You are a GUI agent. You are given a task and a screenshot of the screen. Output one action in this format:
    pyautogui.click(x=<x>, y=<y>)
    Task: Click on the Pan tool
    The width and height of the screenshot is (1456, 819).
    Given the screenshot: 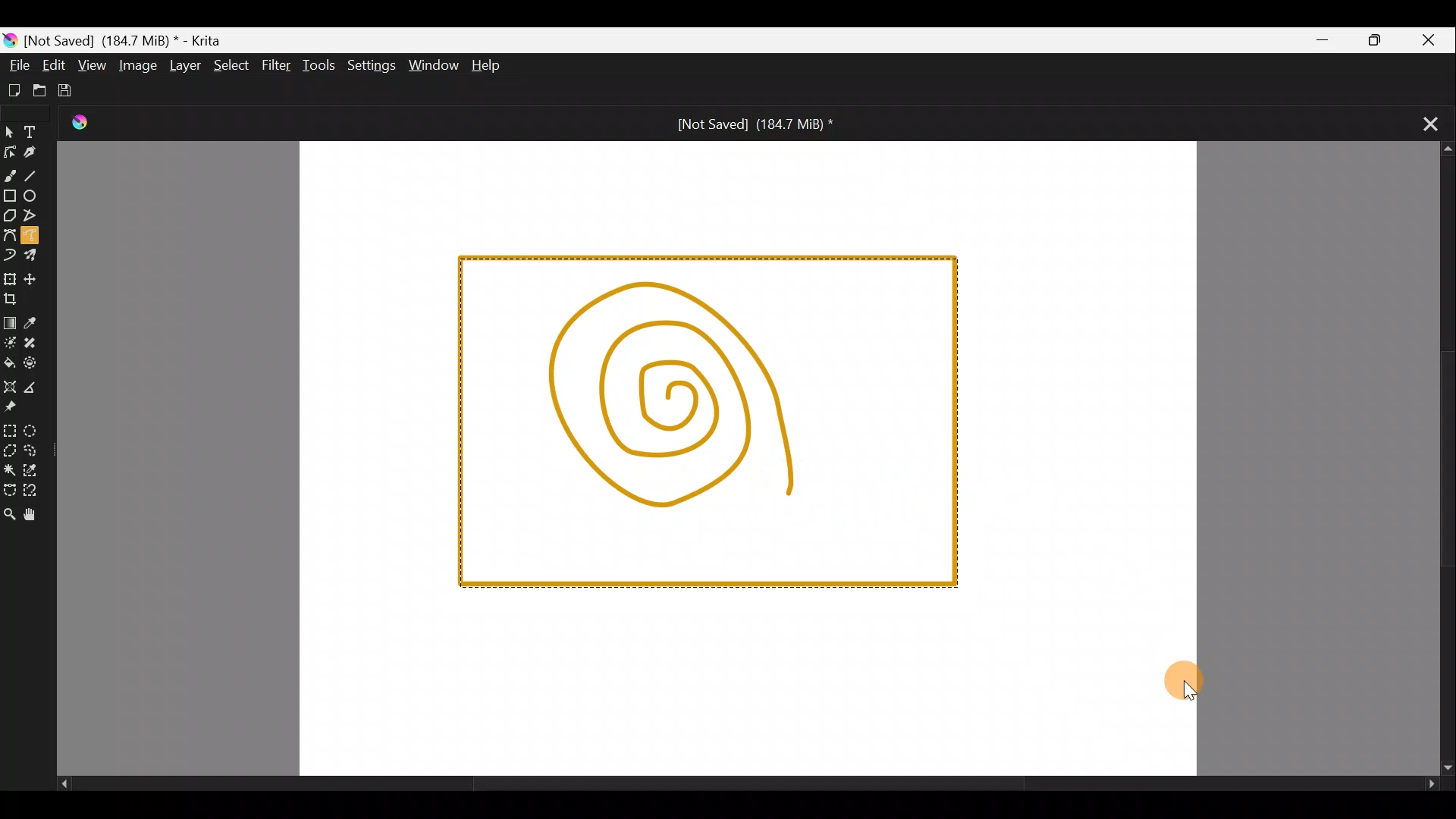 What is the action you would take?
    pyautogui.click(x=39, y=516)
    